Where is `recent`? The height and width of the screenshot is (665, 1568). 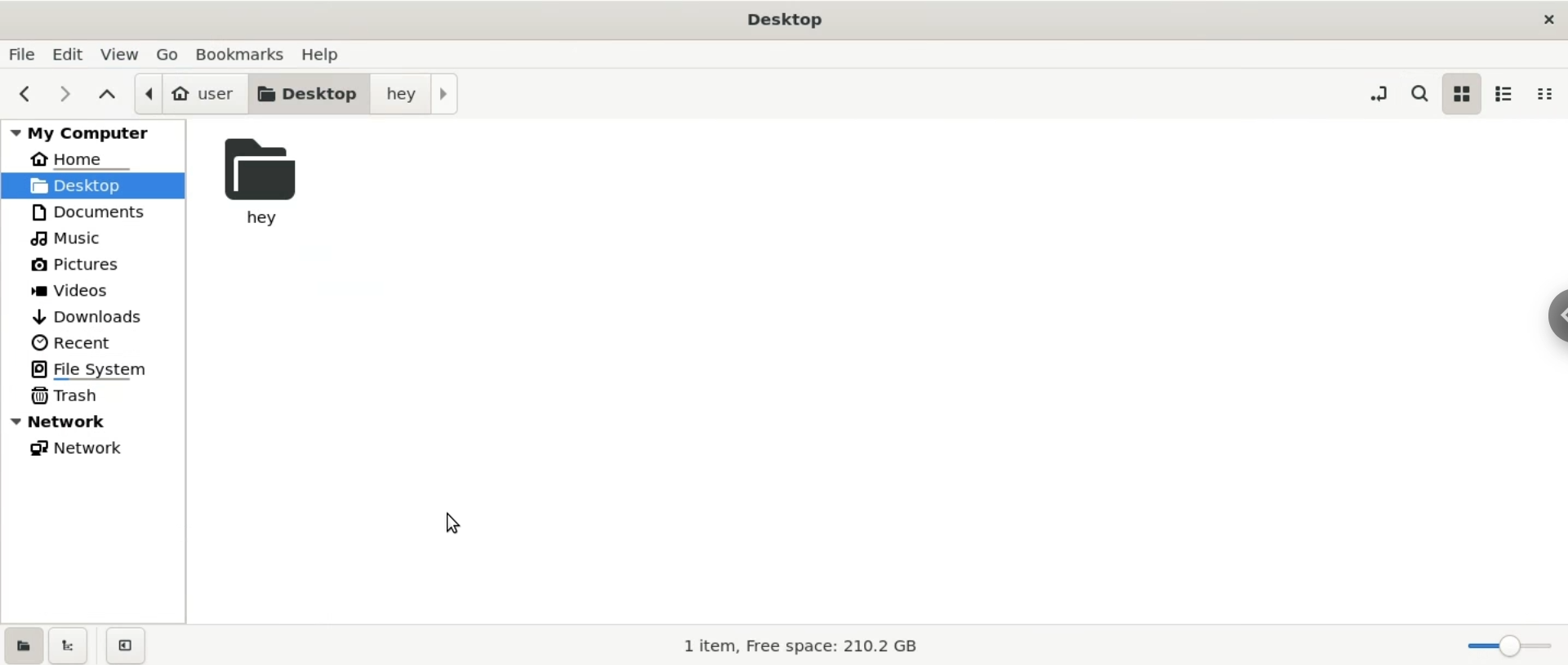 recent is located at coordinates (101, 341).